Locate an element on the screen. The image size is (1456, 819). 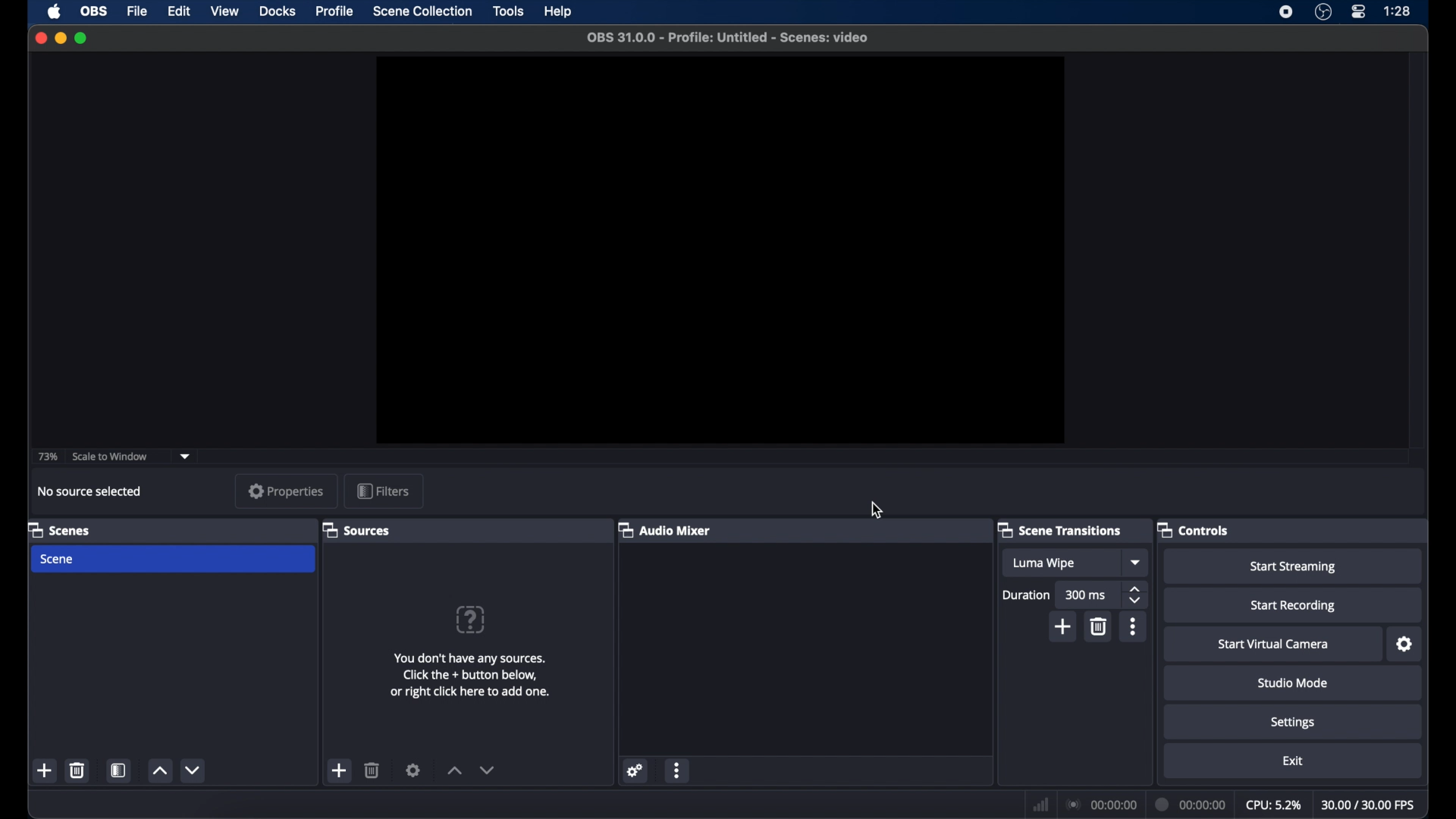
exit is located at coordinates (1292, 761).